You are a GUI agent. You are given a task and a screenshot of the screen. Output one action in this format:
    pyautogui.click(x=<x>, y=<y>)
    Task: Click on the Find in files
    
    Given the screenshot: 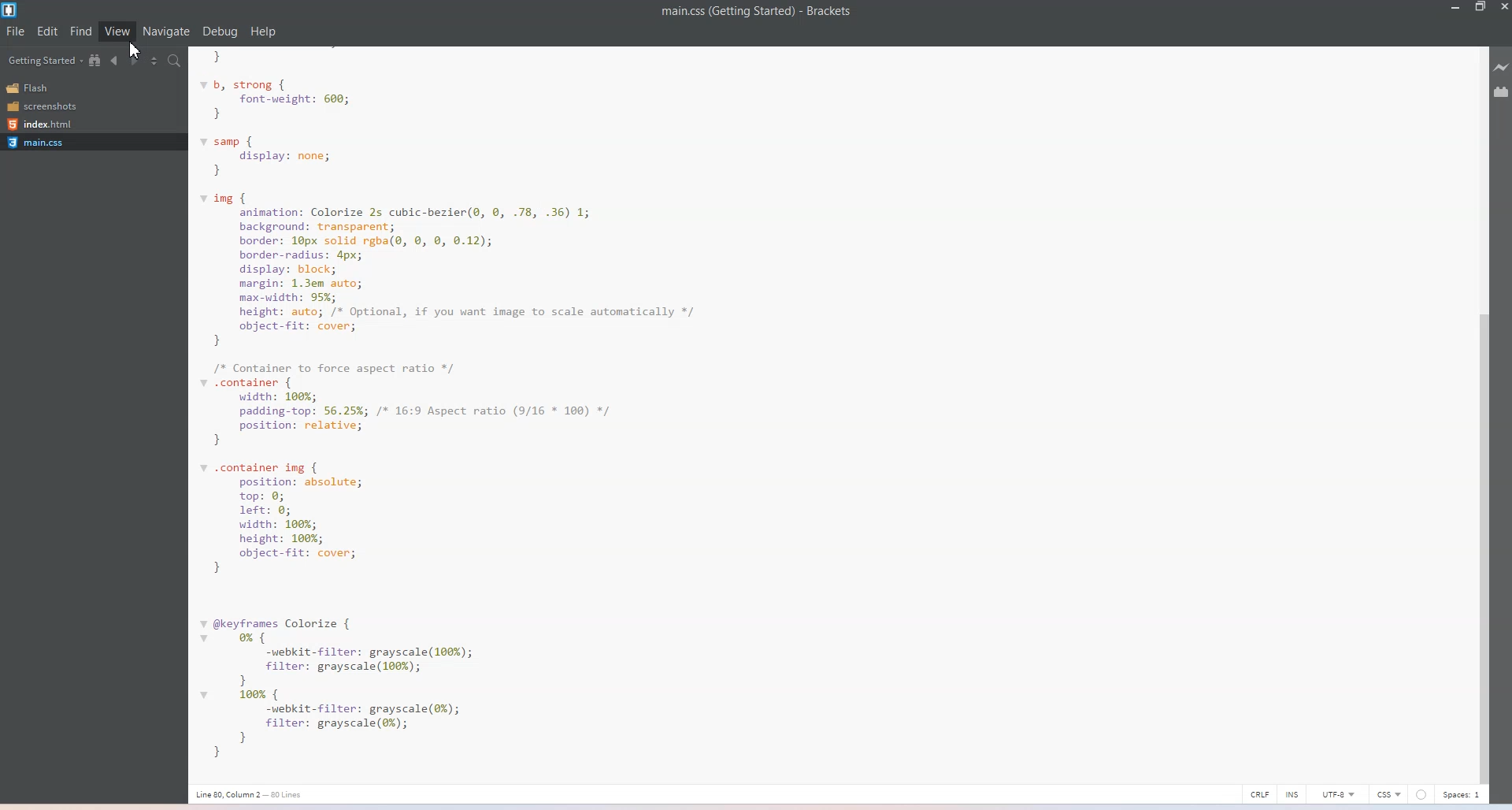 What is the action you would take?
    pyautogui.click(x=176, y=61)
    